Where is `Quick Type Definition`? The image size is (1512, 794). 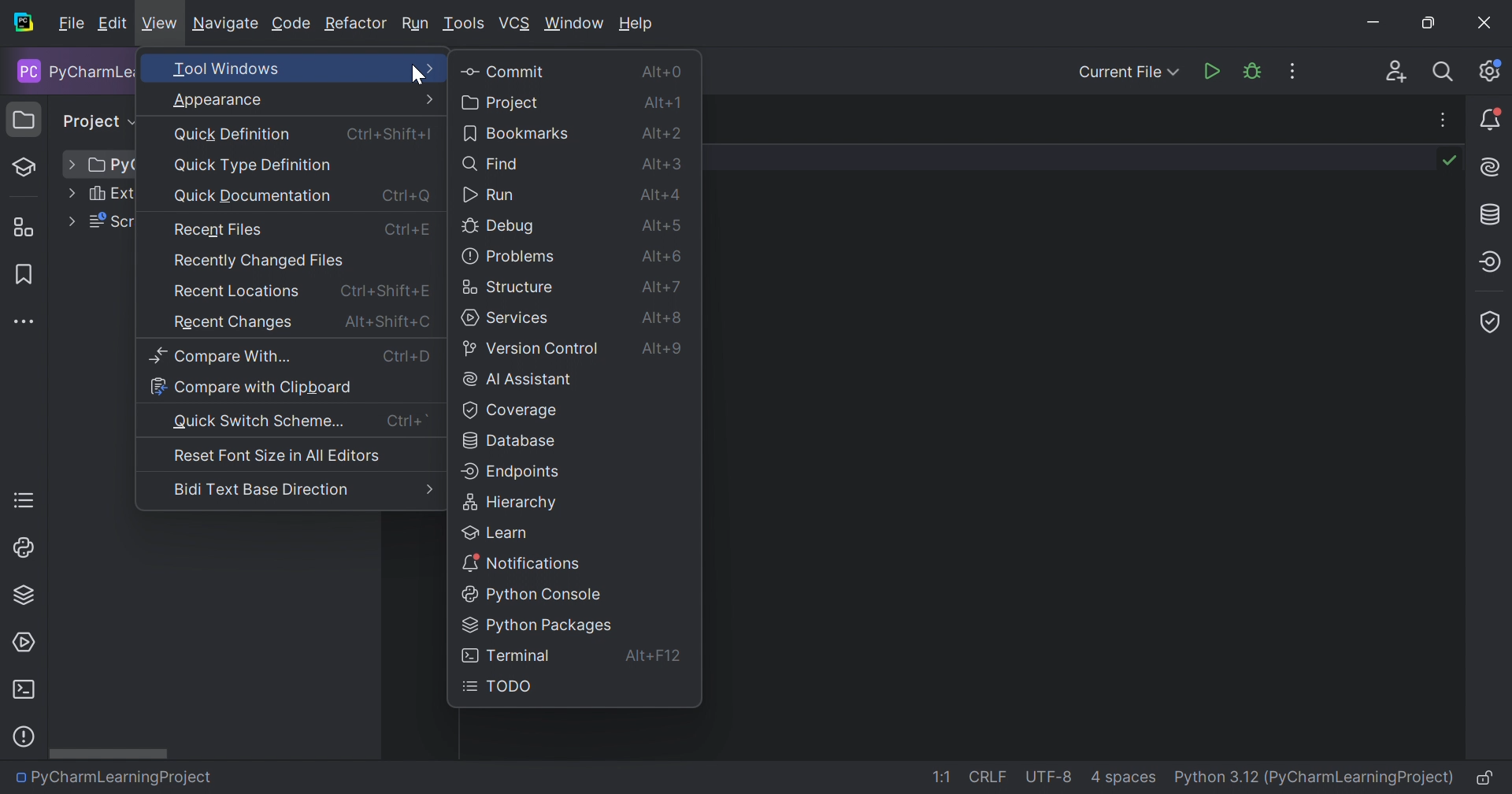 Quick Type Definition is located at coordinates (256, 165).